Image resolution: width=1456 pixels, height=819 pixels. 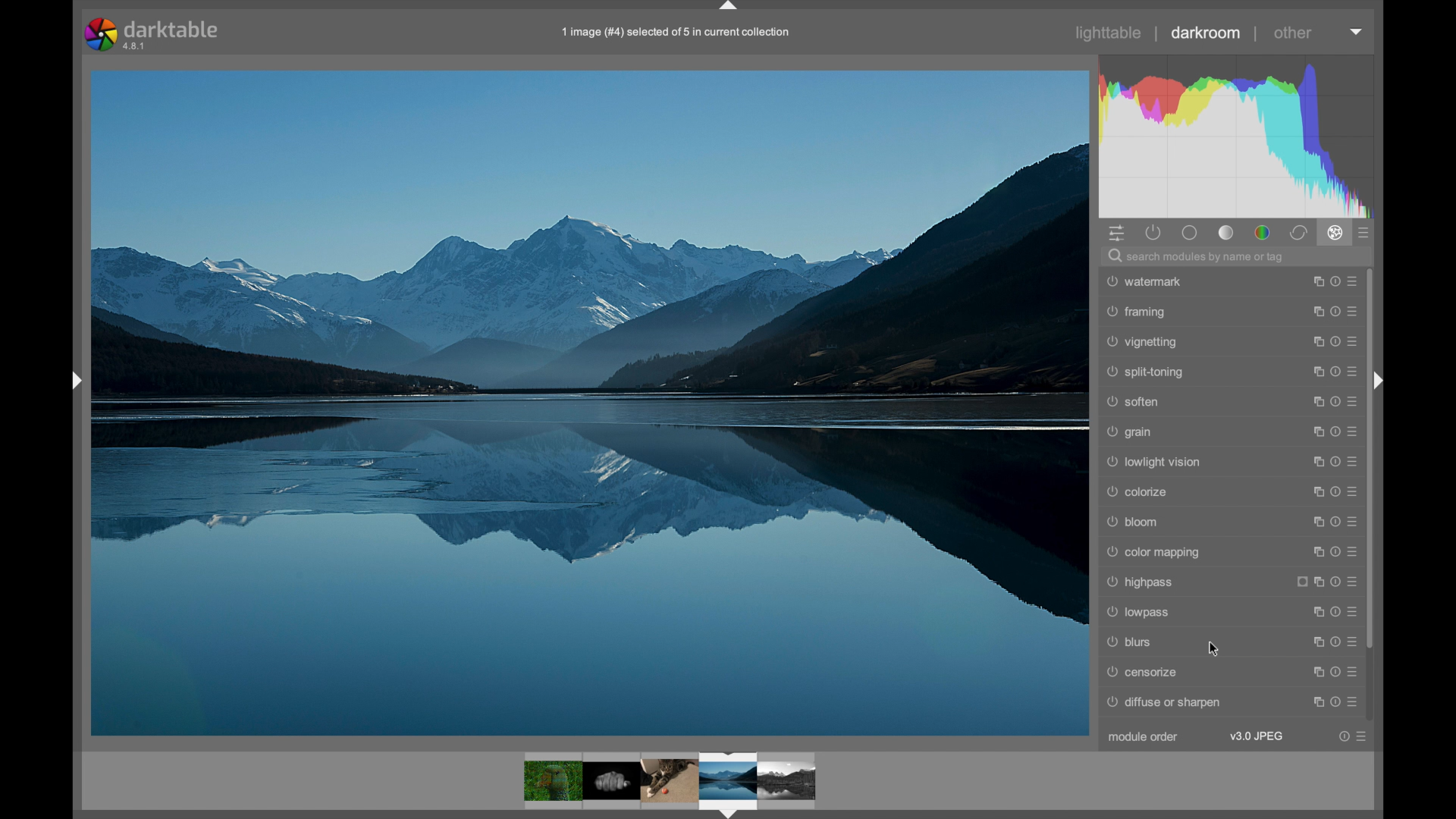 I want to click on maximize, so click(x=1313, y=673).